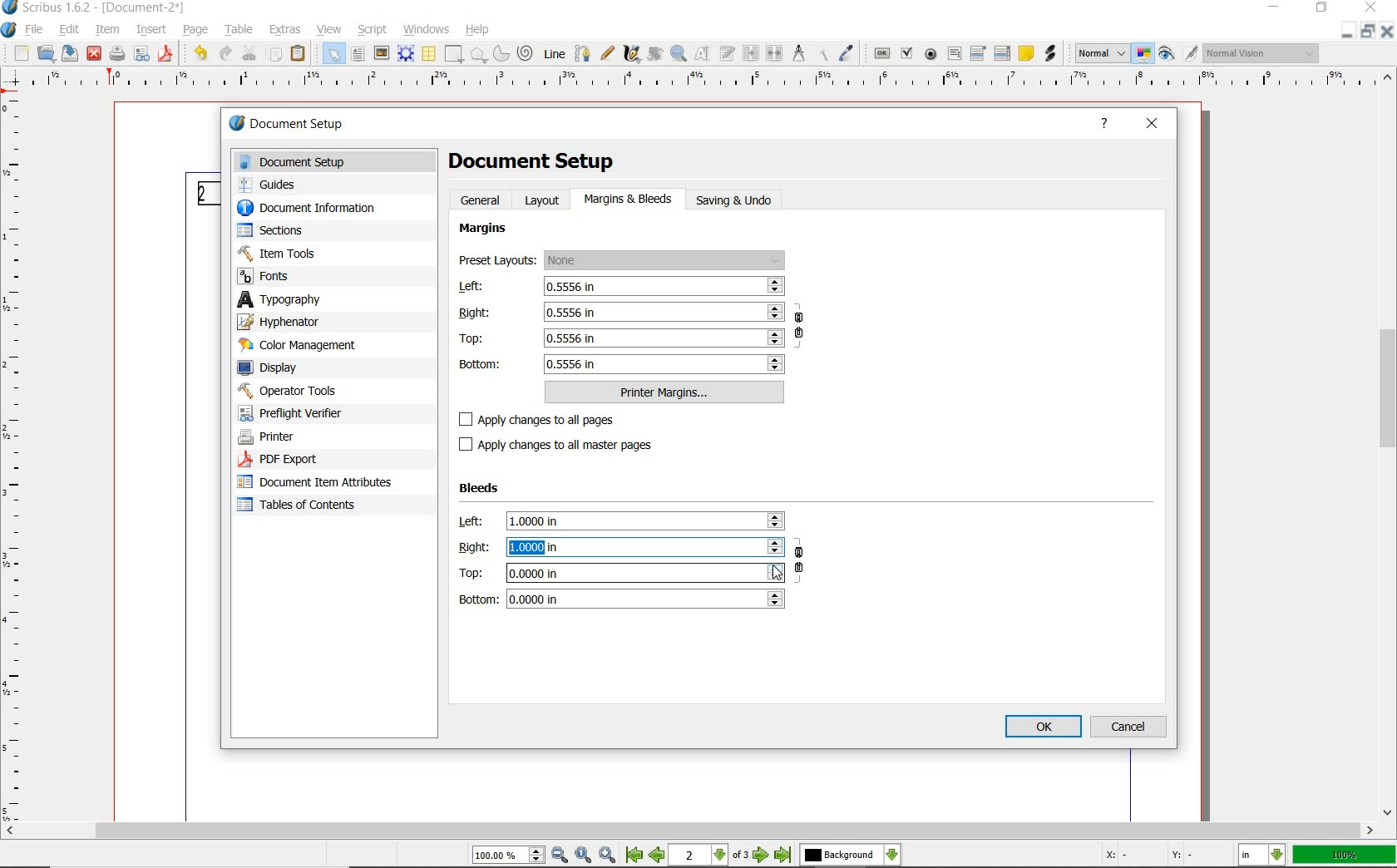 This screenshot has height=868, width=1397. I want to click on Next Page, so click(762, 856).